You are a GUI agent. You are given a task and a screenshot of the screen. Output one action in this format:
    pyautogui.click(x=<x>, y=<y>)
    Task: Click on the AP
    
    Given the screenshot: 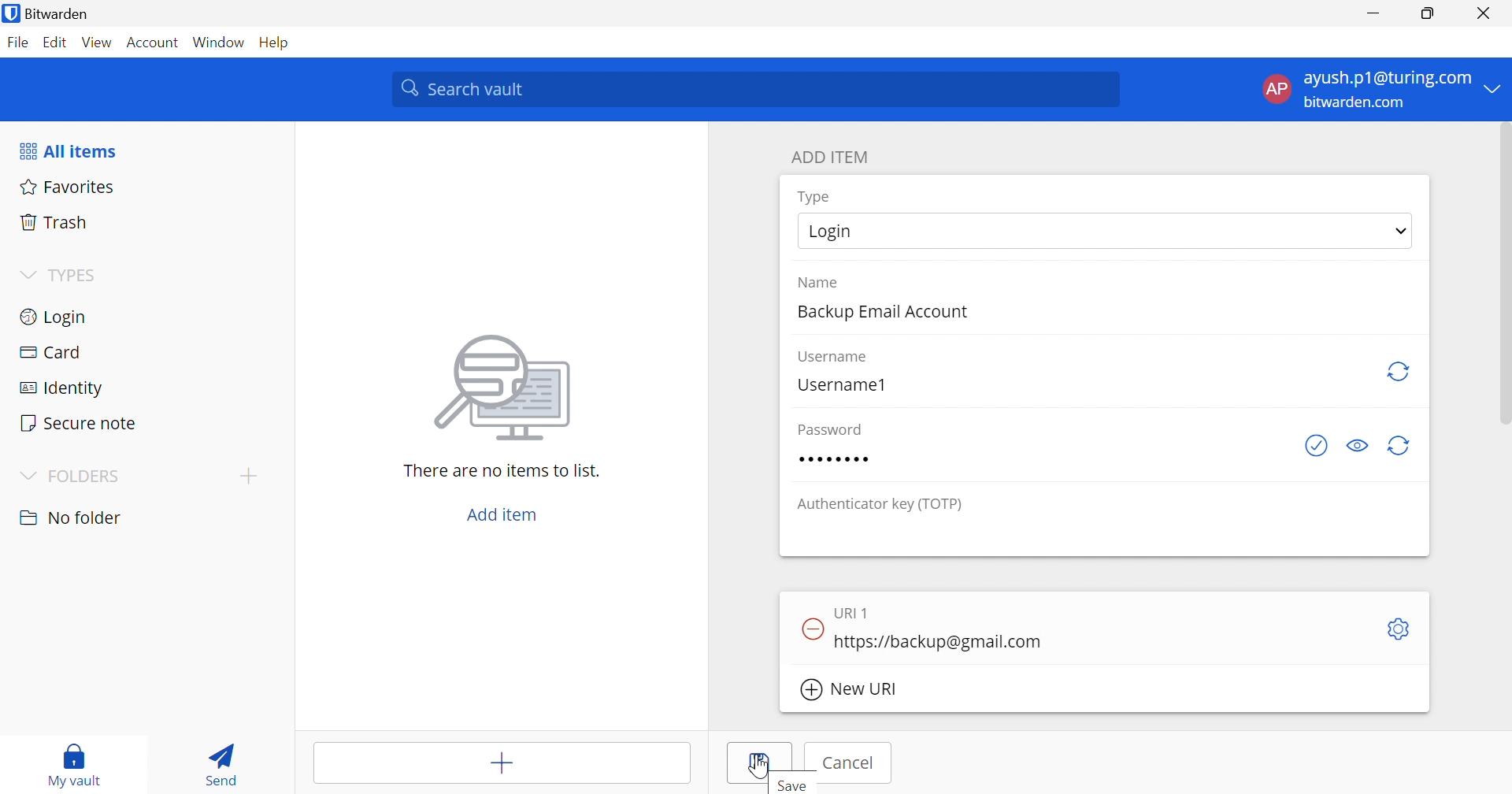 What is the action you would take?
    pyautogui.click(x=1275, y=89)
    